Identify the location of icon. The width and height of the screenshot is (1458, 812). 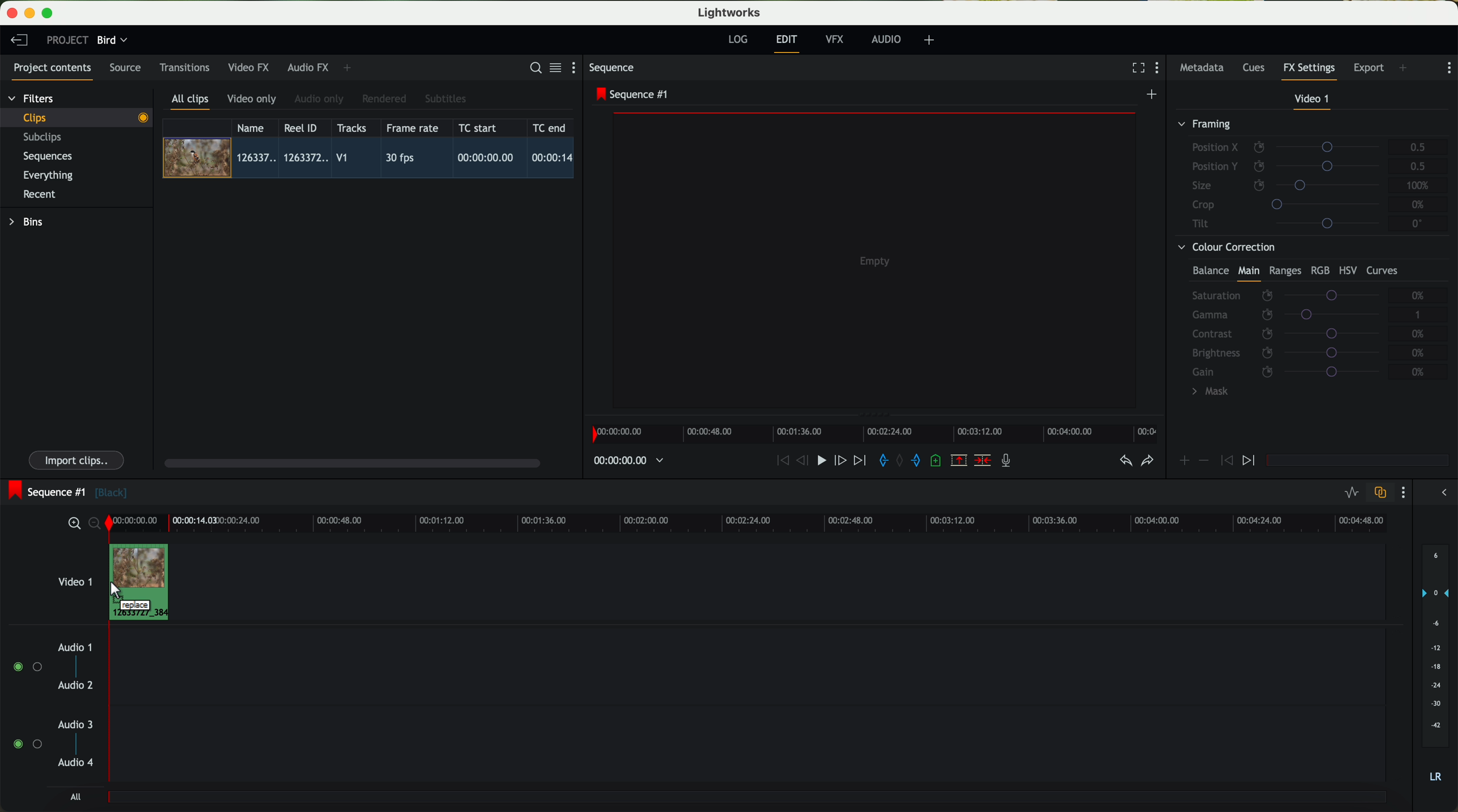
(1225, 461).